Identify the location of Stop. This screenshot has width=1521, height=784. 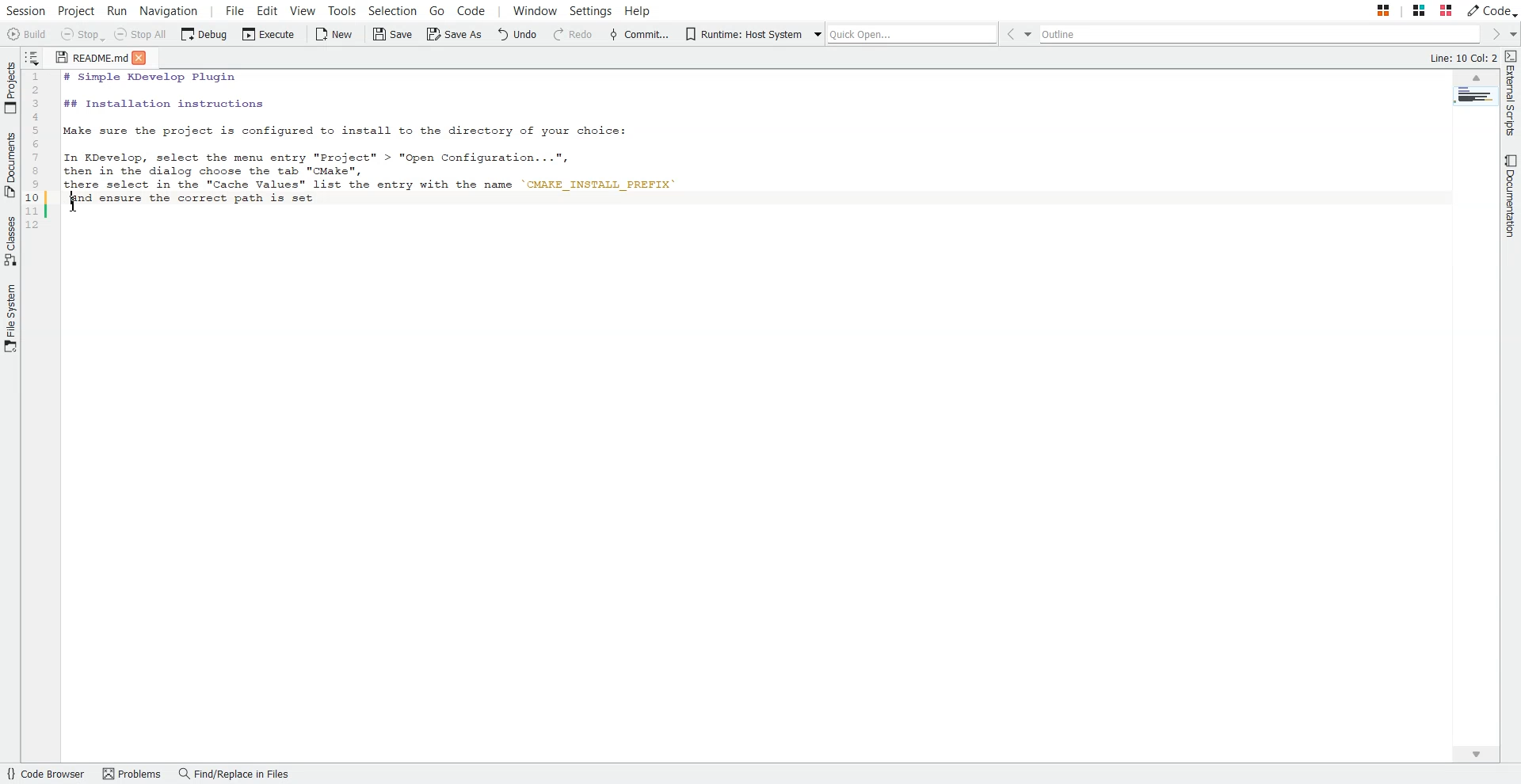
(82, 35).